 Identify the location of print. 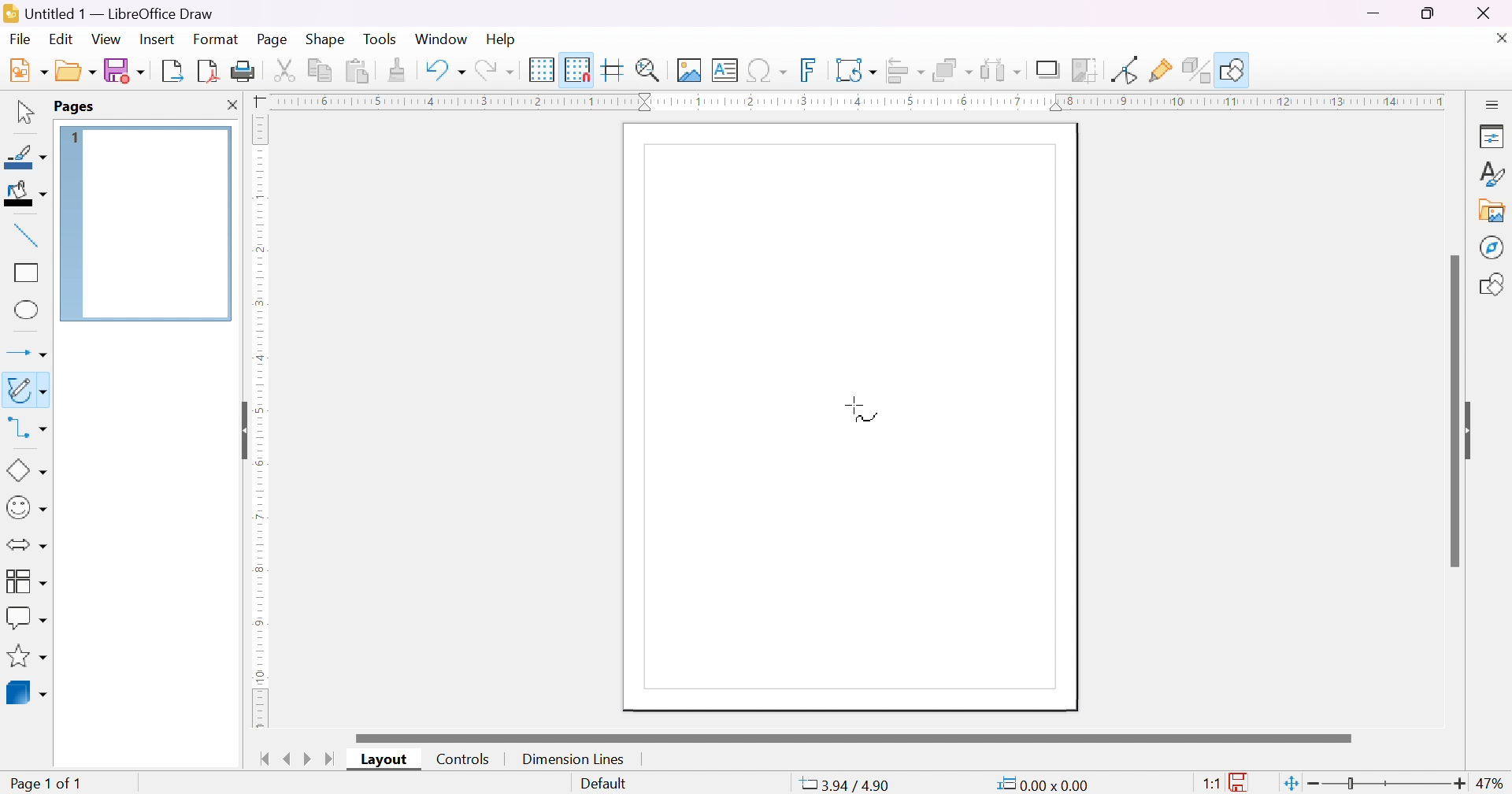
(245, 72).